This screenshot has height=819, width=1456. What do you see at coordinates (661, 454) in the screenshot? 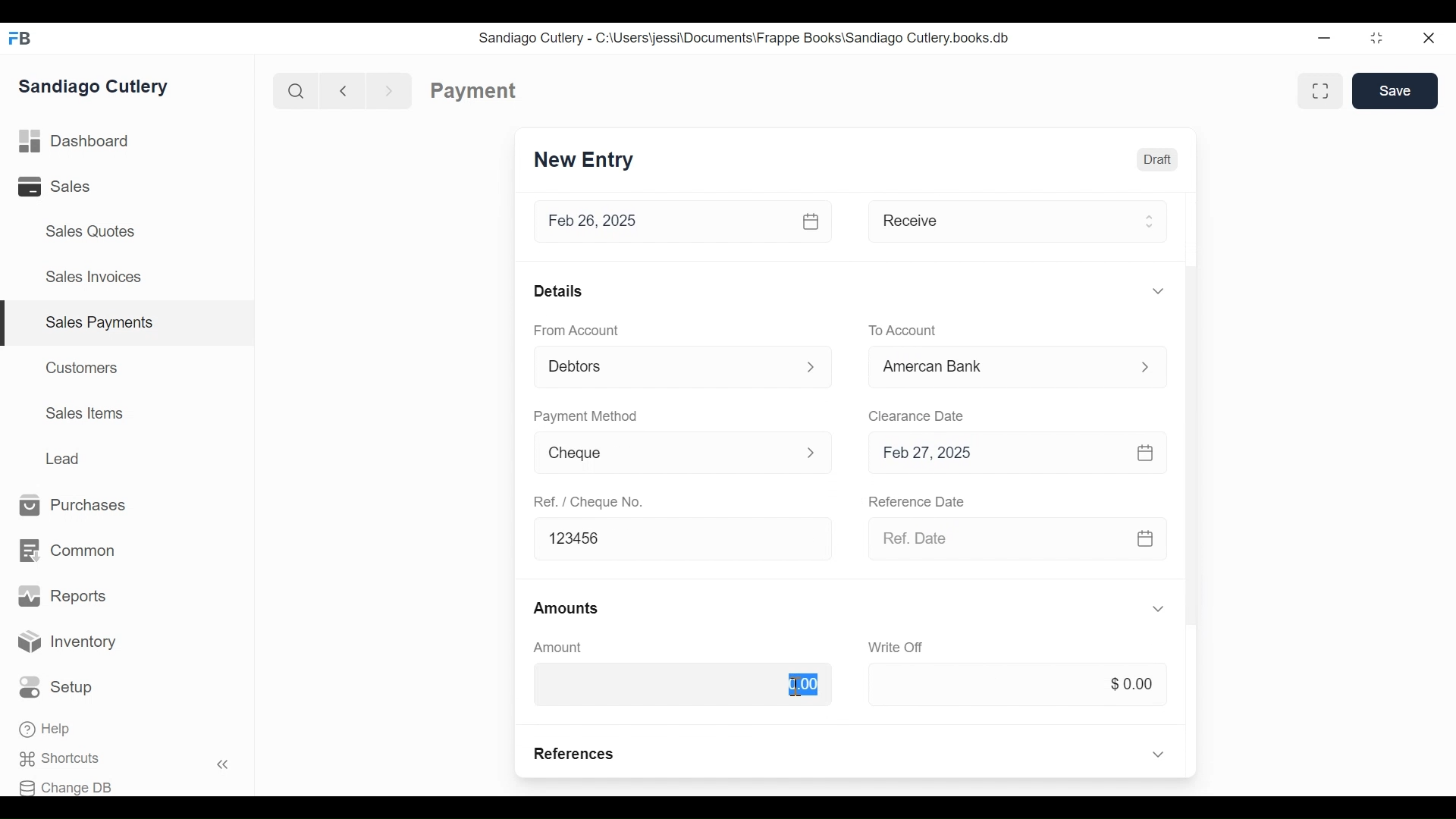
I see `Cheque` at bounding box center [661, 454].